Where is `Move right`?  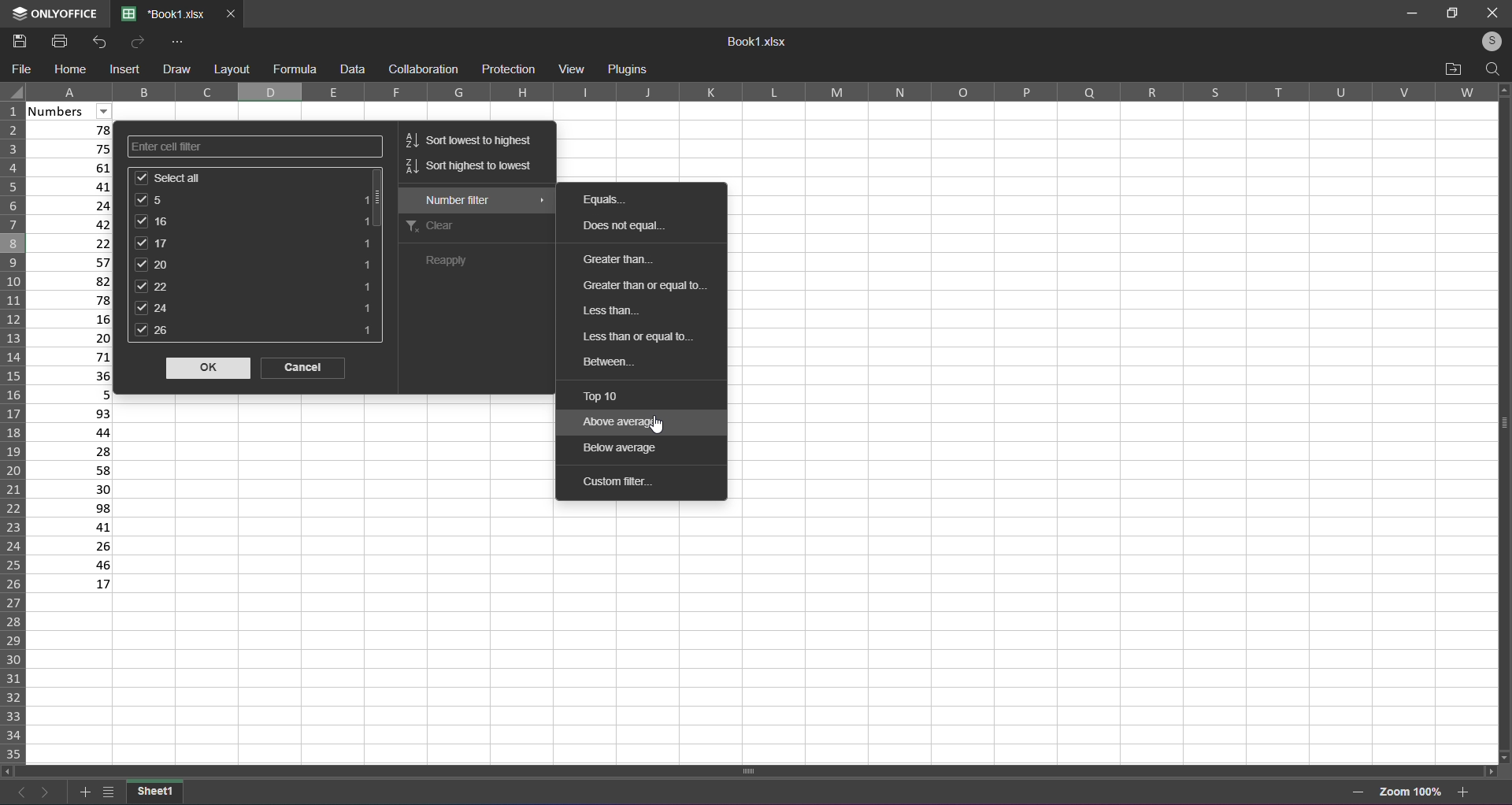
Move right is located at coordinates (1488, 770).